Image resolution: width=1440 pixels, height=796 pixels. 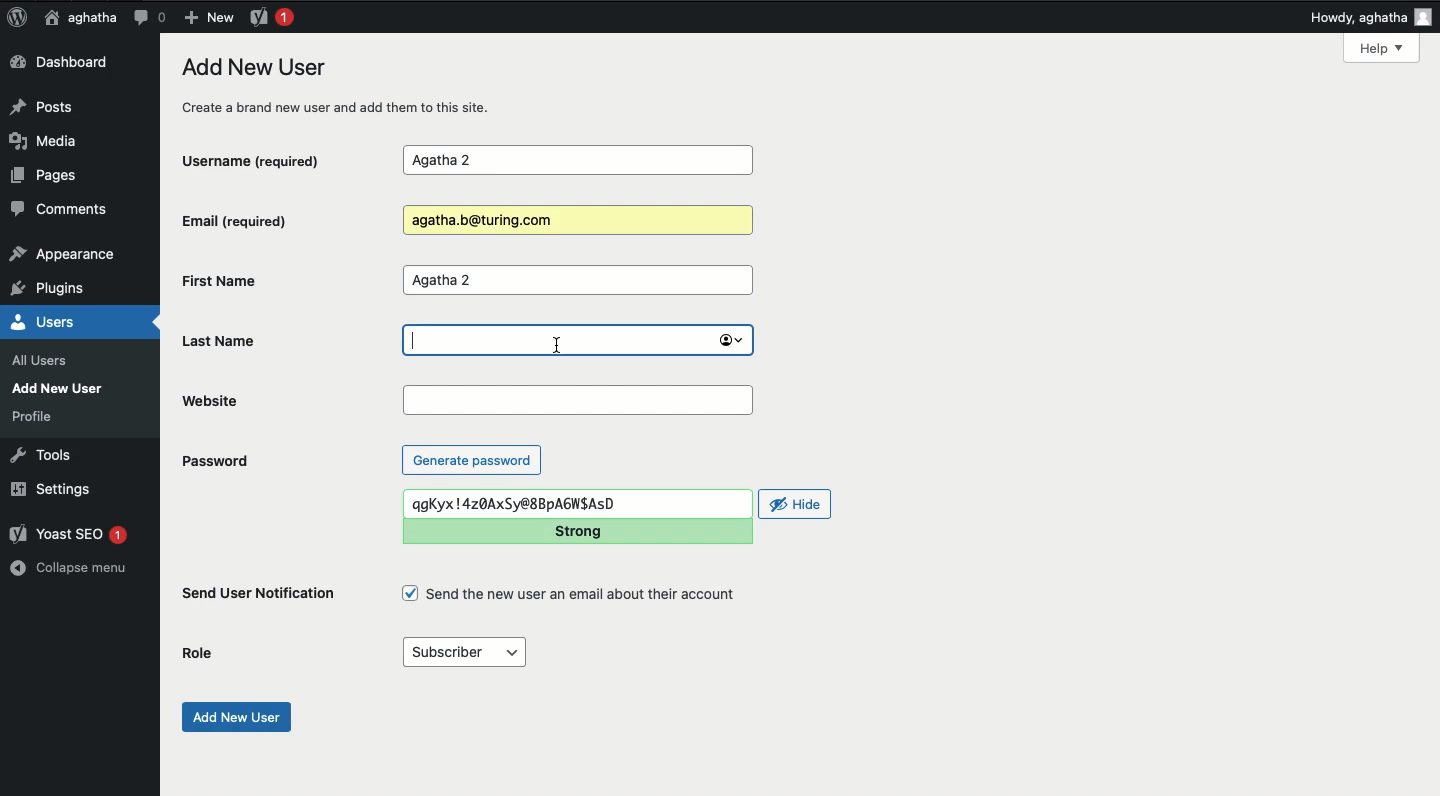 I want to click on Role, so click(x=201, y=653).